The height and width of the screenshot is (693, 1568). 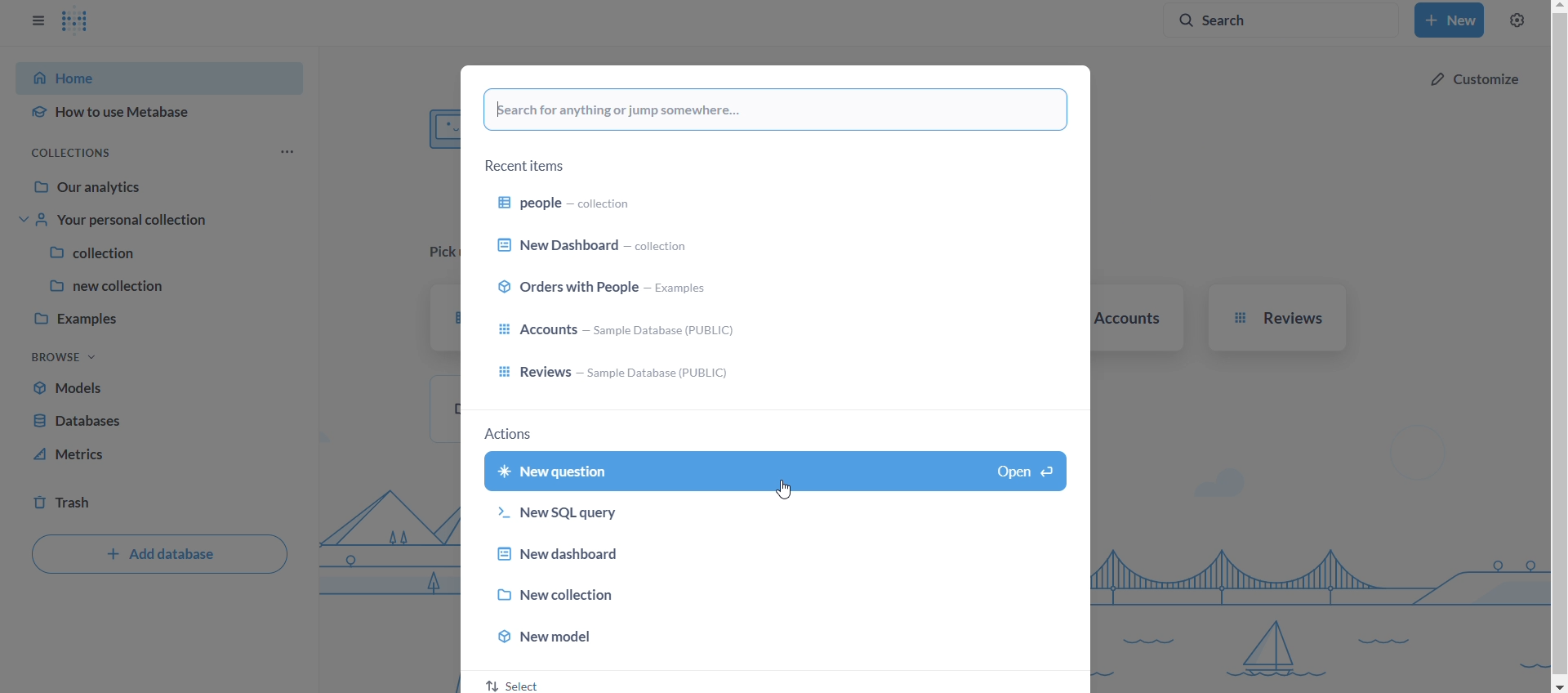 What do you see at coordinates (82, 21) in the screenshot?
I see `logo` at bounding box center [82, 21].